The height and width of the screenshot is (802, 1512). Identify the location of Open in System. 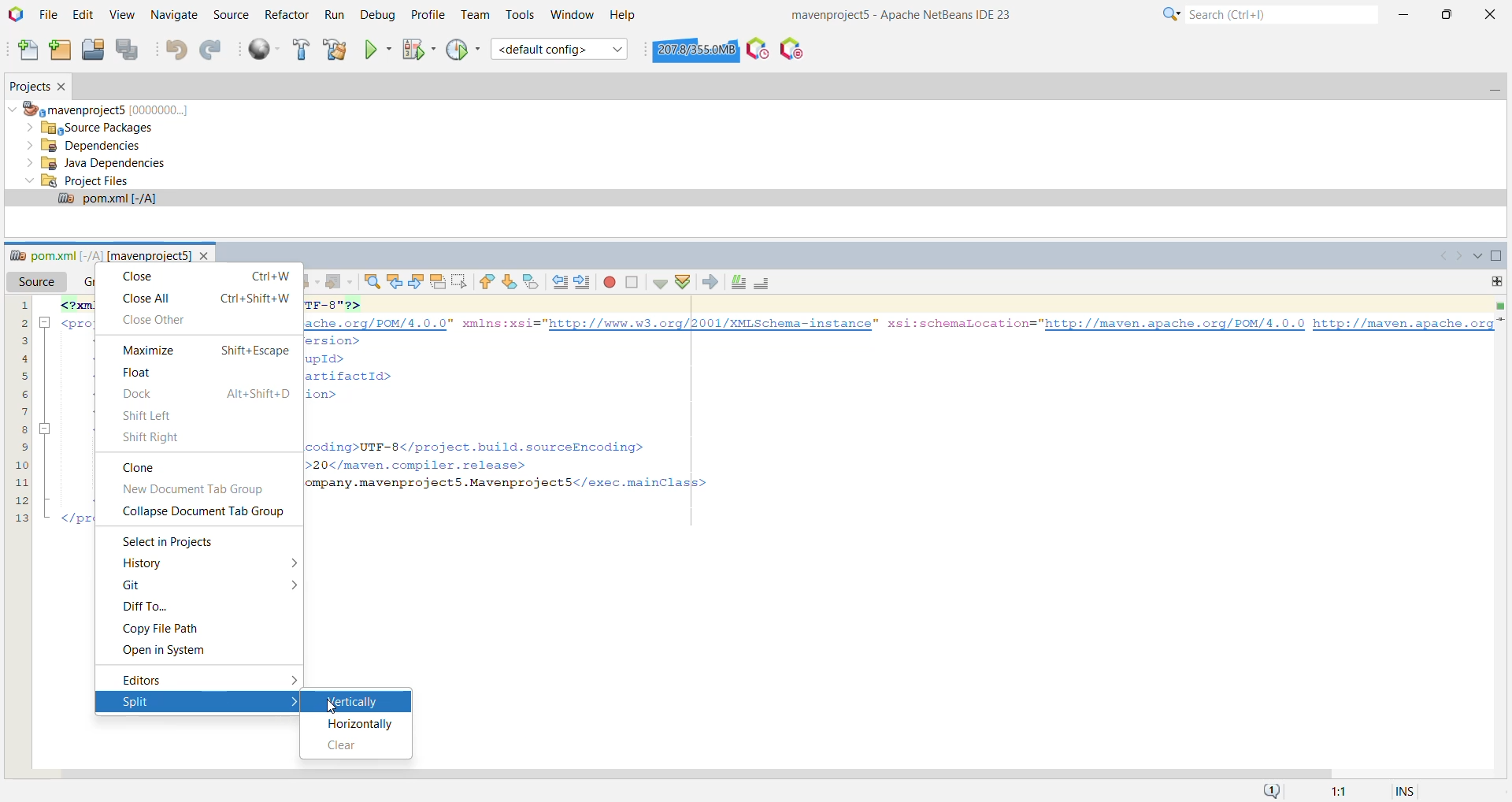
(168, 649).